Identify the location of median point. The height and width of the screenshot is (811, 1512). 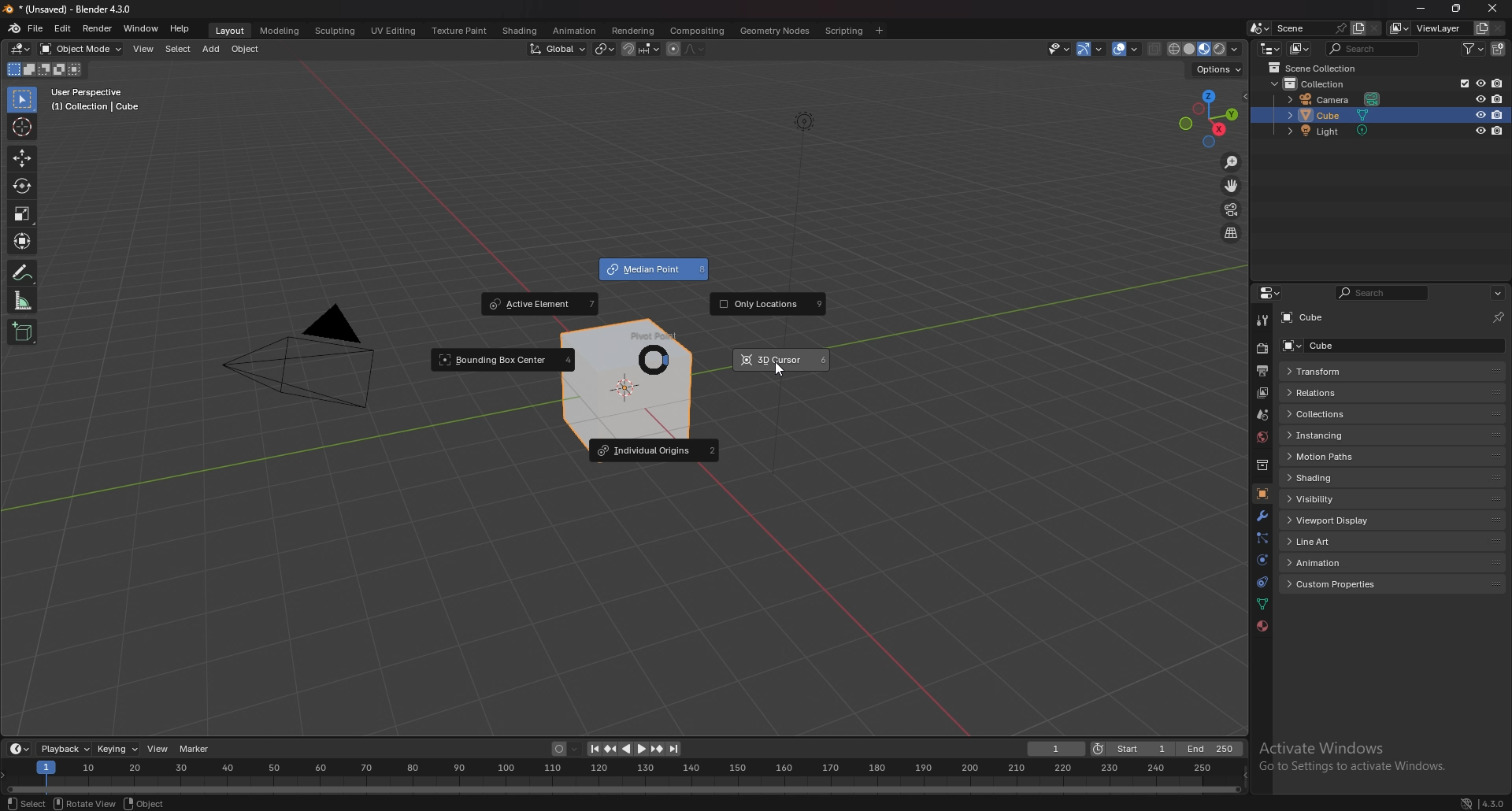
(605, 48).